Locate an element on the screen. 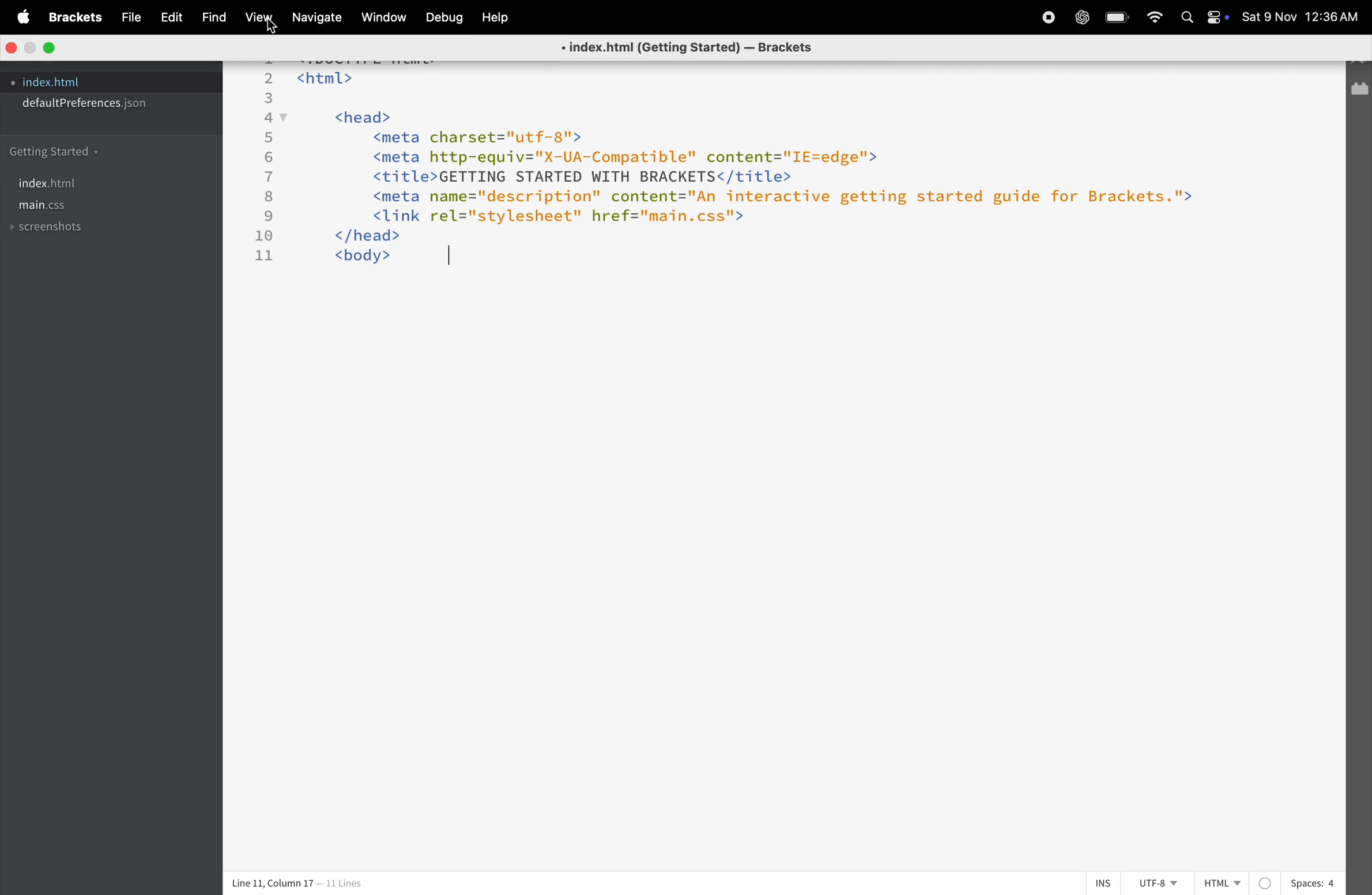  html is located at coordinates (1219, 883).